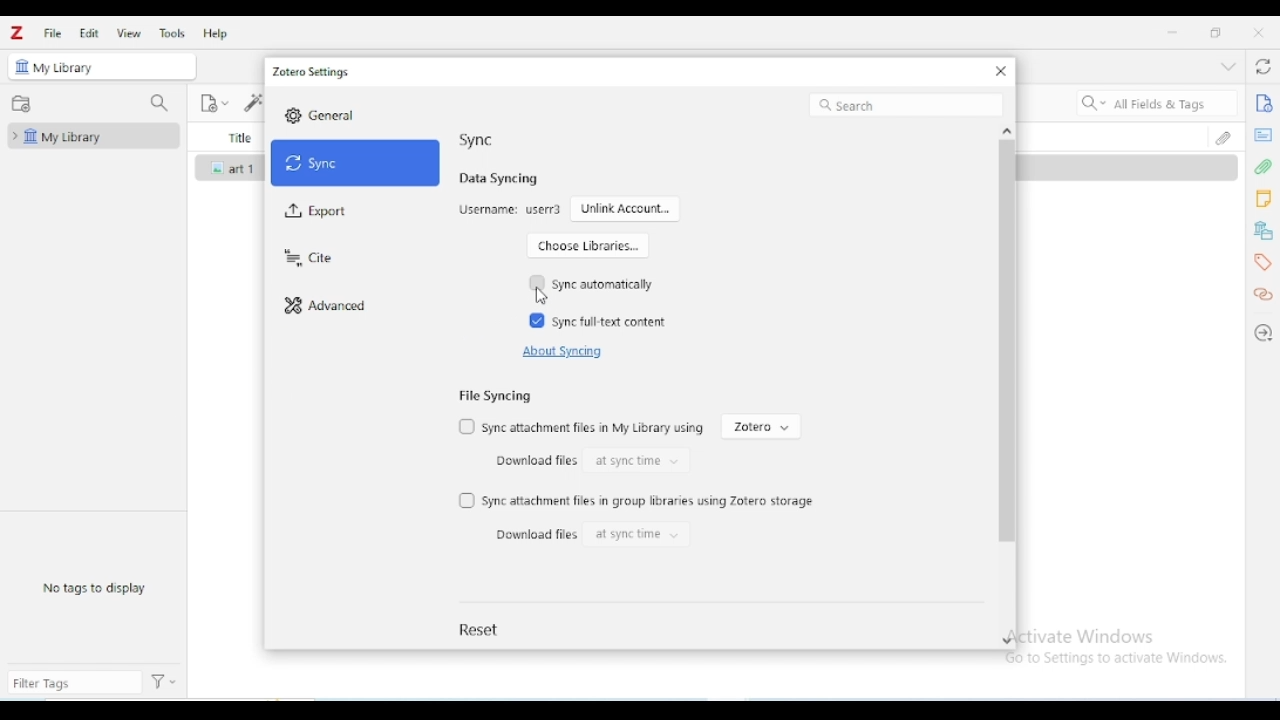 This screenshot has width=1280, height=720. Describe the element at coordinates (245, 169) in the screenshot. I see `art 1` at that location.